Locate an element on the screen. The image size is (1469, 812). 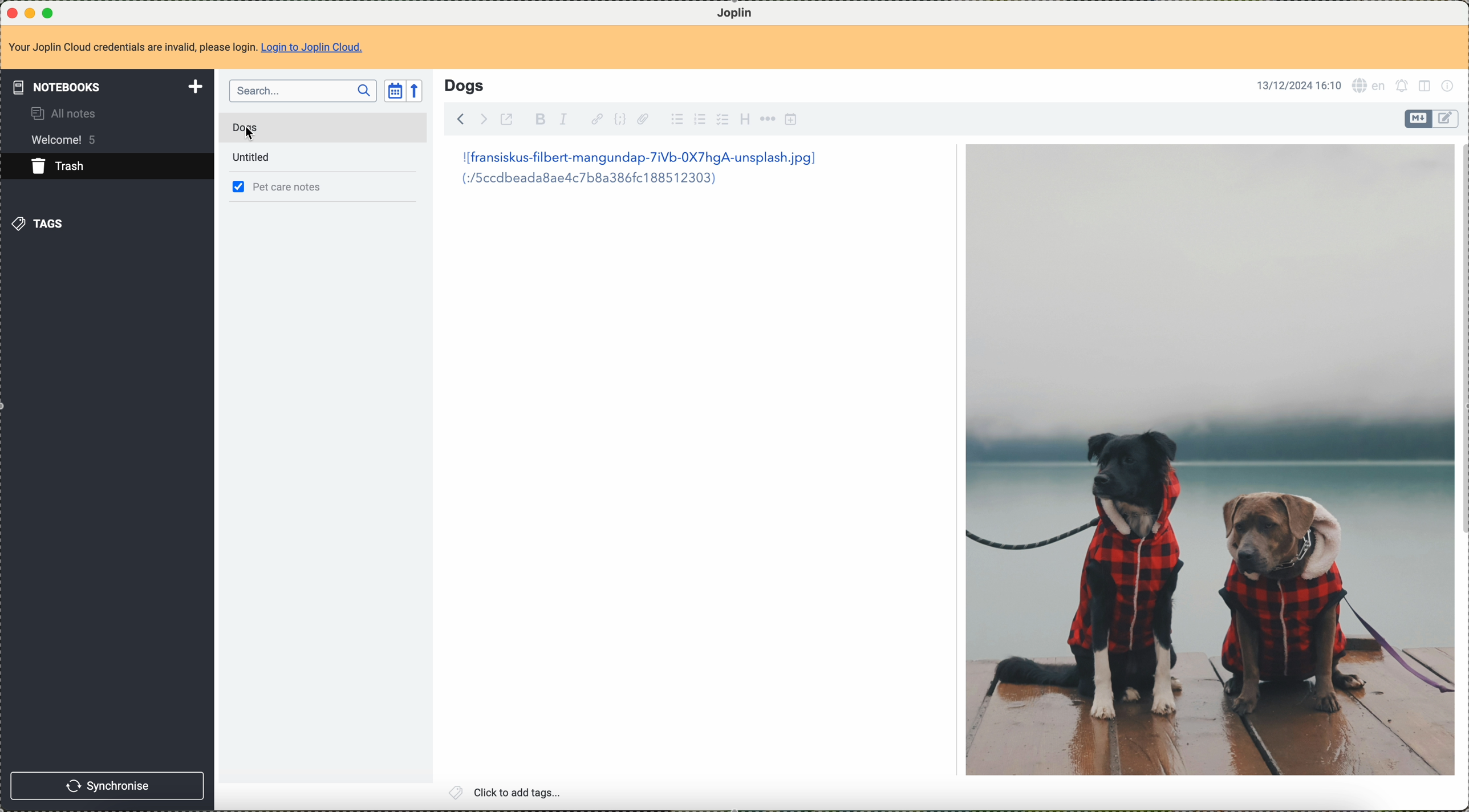
numbered list is located at coordinates (699, 120).